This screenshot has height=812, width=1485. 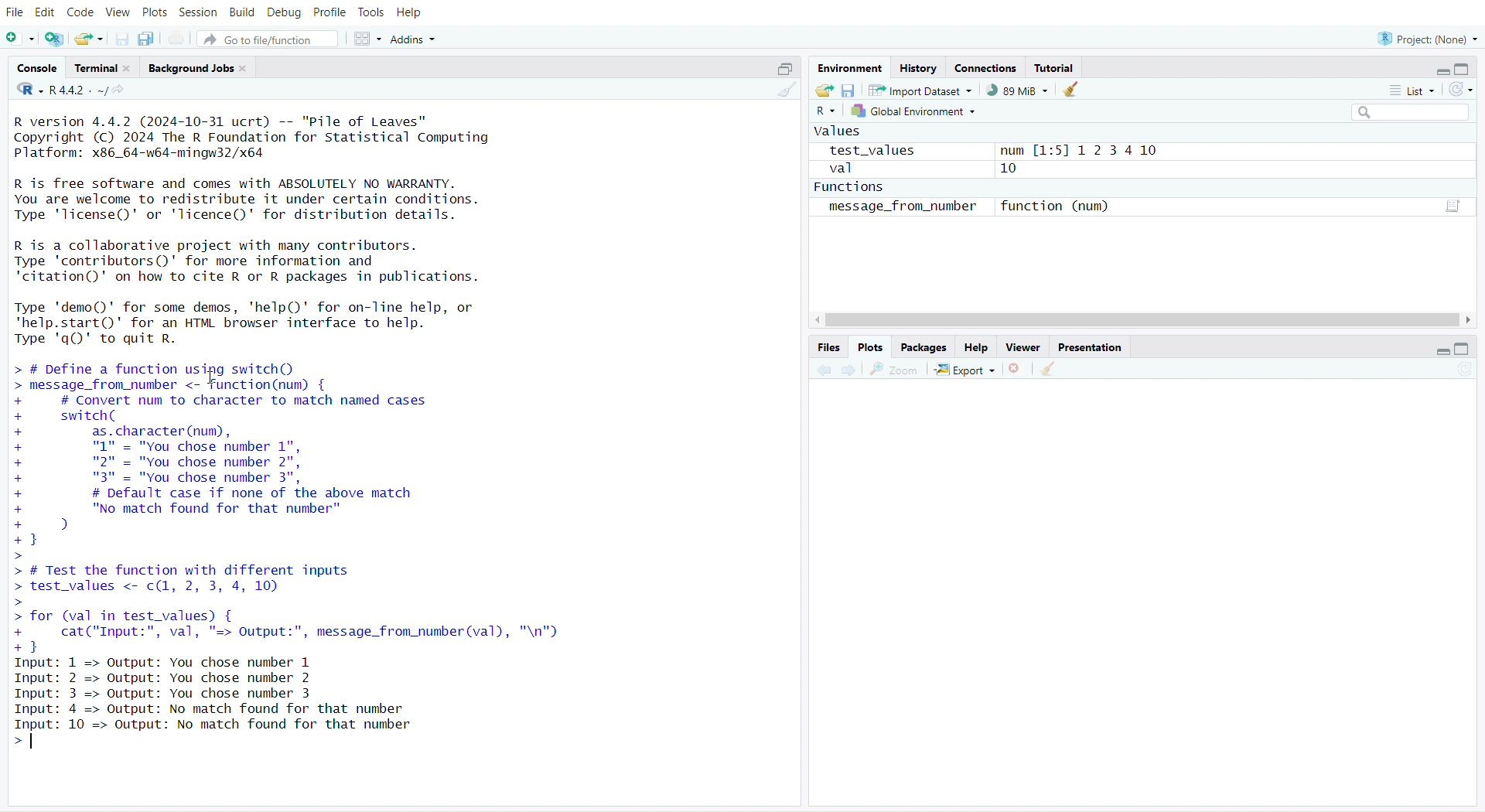 What do you see at coordinates (1445, 72) in the screenshot?
I see `Minimize` at bounding box center [1445, 72].